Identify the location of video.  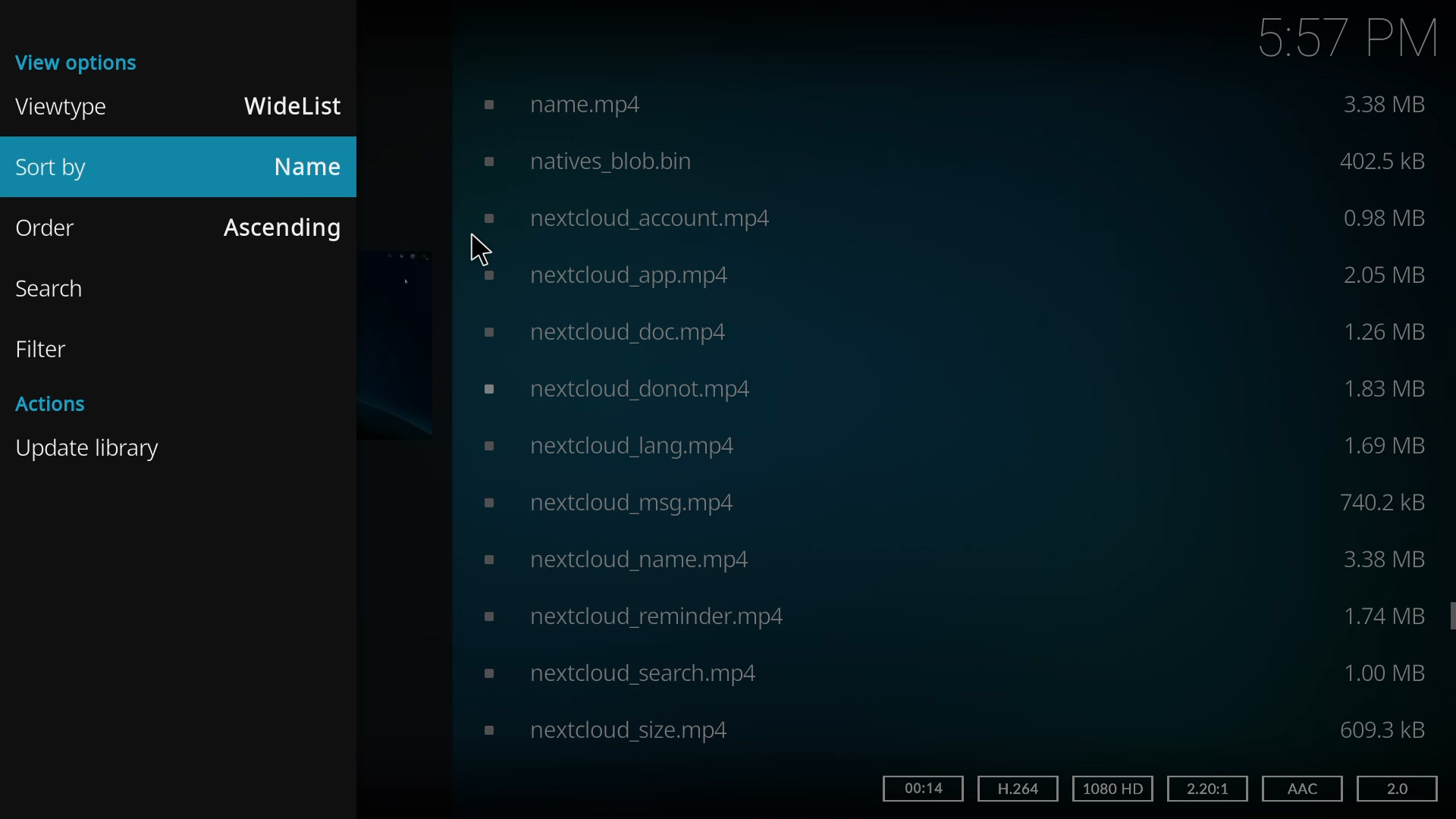
(648, 160).